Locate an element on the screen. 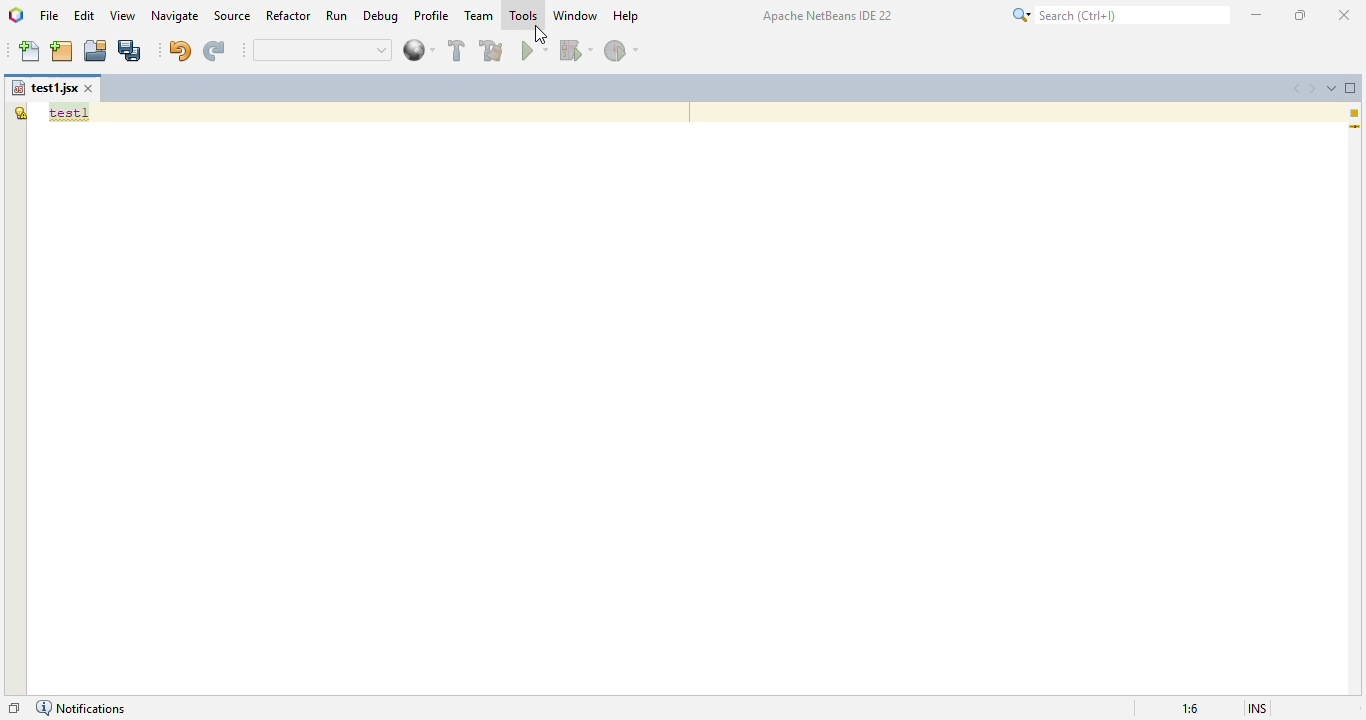 The width and height of the screenshot is (1366, 720). profile project is located at coordinates (622, 50).